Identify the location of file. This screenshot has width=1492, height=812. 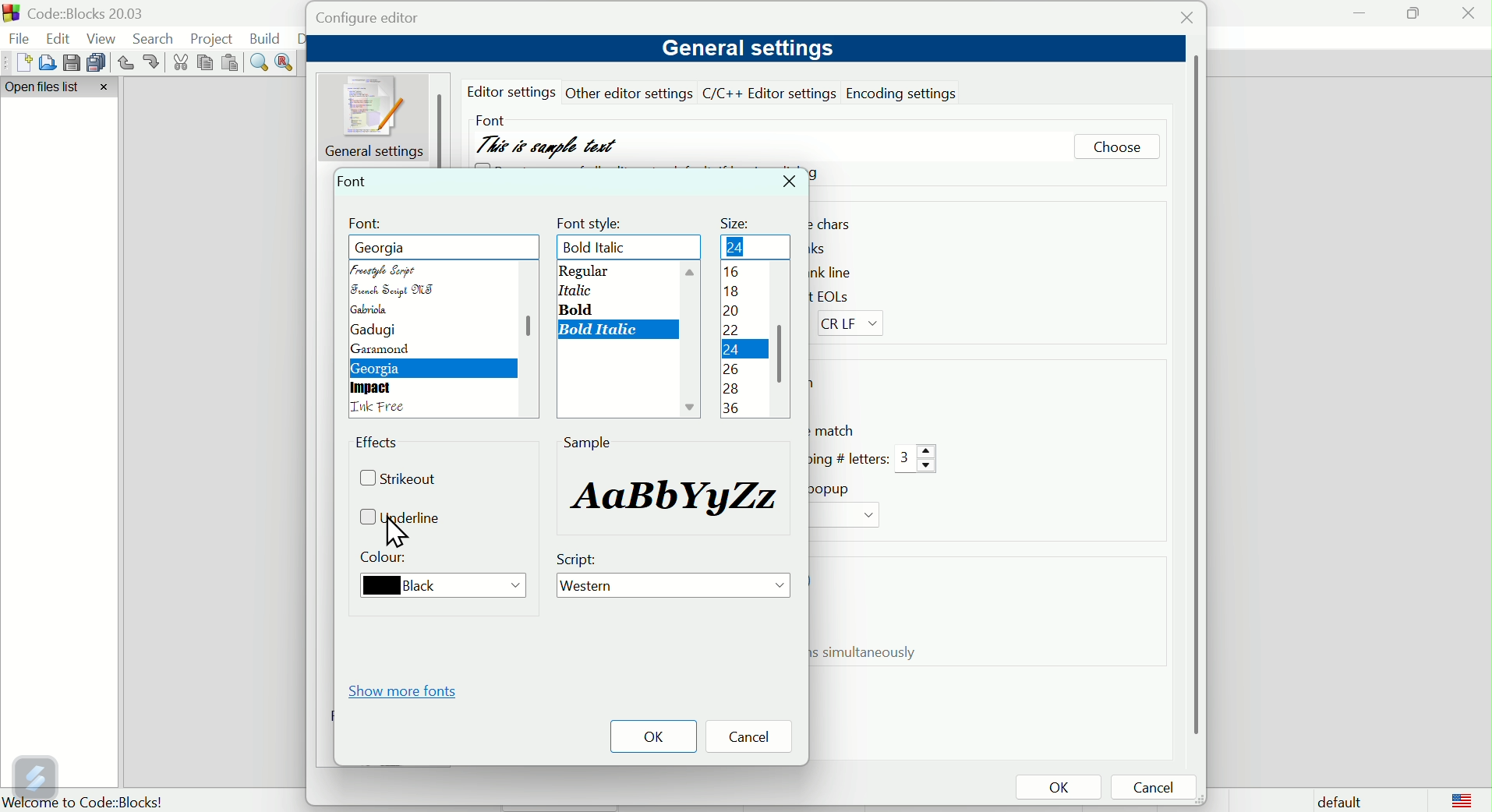
(20, 40).